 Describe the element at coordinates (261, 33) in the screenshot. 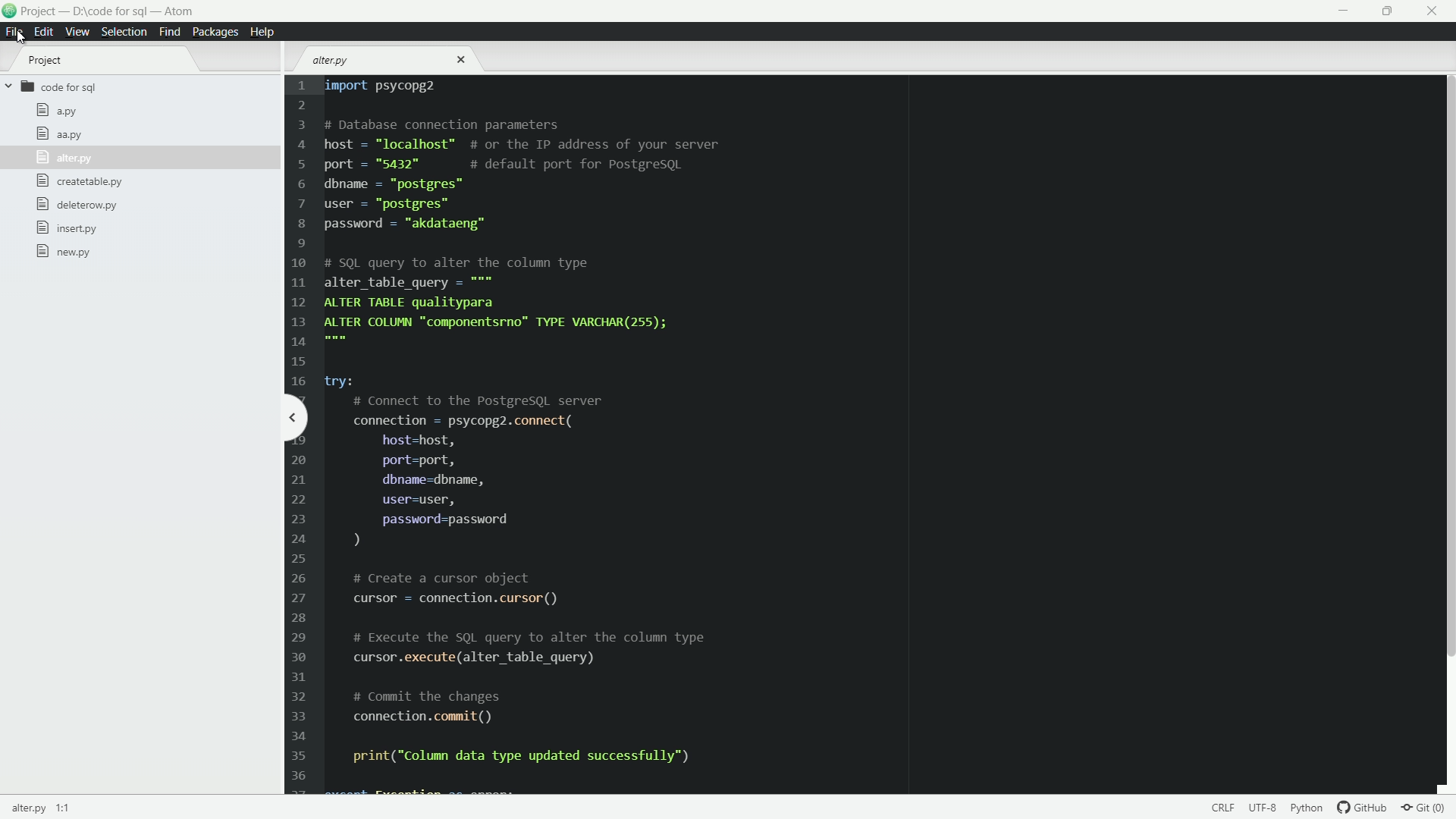

I see `help menu` at that location.